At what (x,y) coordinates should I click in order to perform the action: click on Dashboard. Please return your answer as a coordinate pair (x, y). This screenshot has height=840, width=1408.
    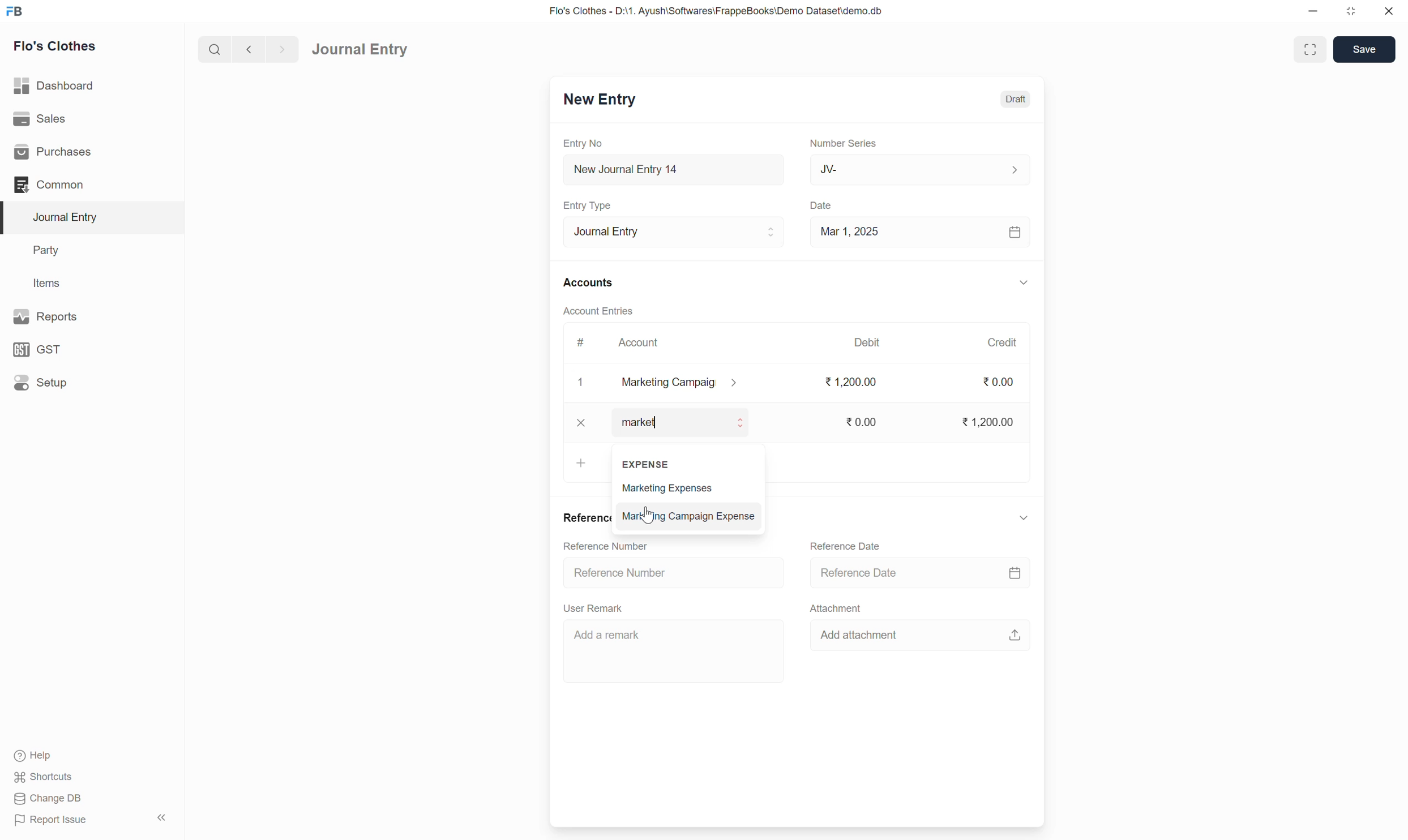
    Looking at the image, I should click on (55, 85).